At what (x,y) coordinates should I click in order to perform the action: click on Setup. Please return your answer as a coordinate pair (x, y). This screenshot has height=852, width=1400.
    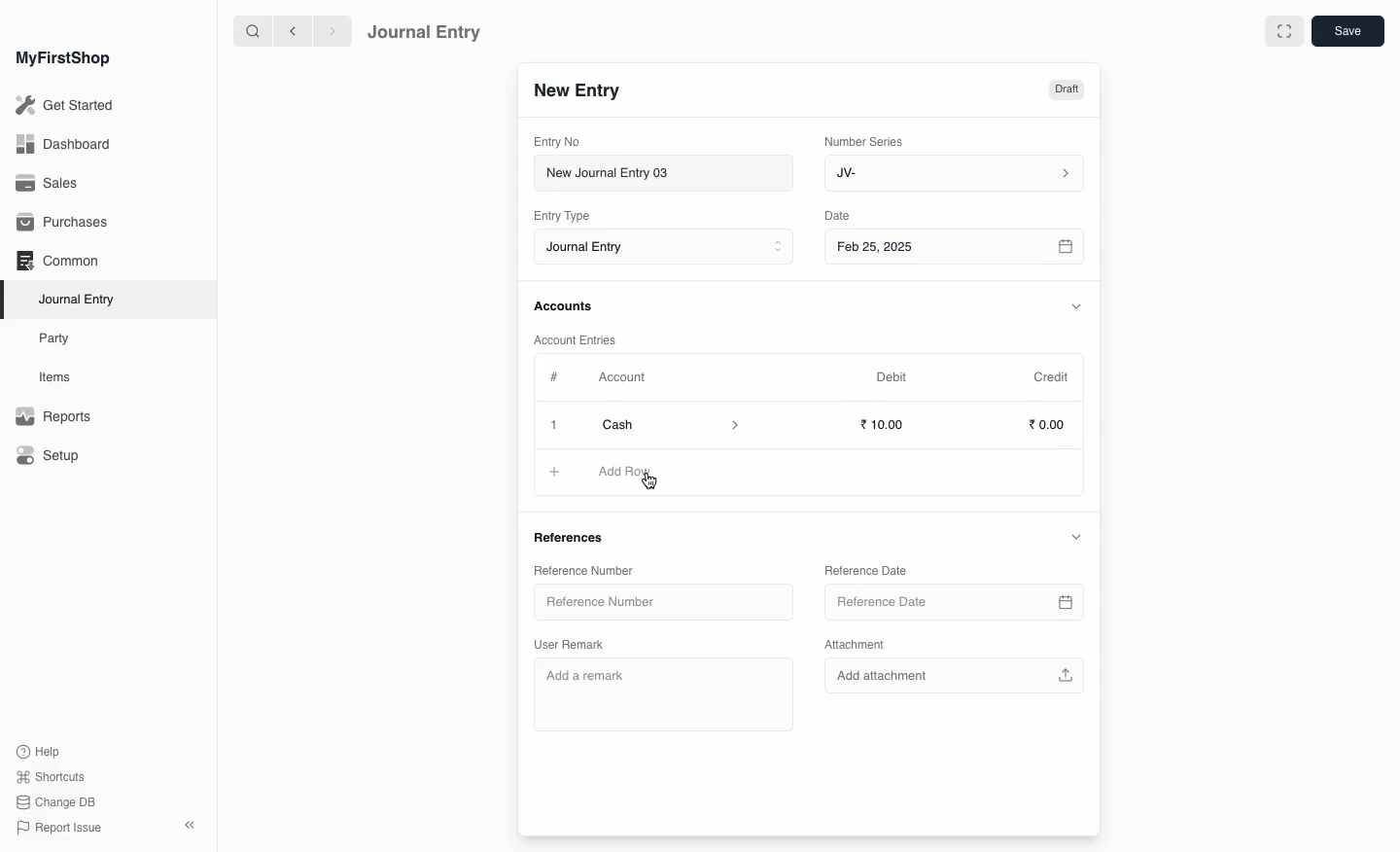
    Looking at the image, I should click on (50, 457).